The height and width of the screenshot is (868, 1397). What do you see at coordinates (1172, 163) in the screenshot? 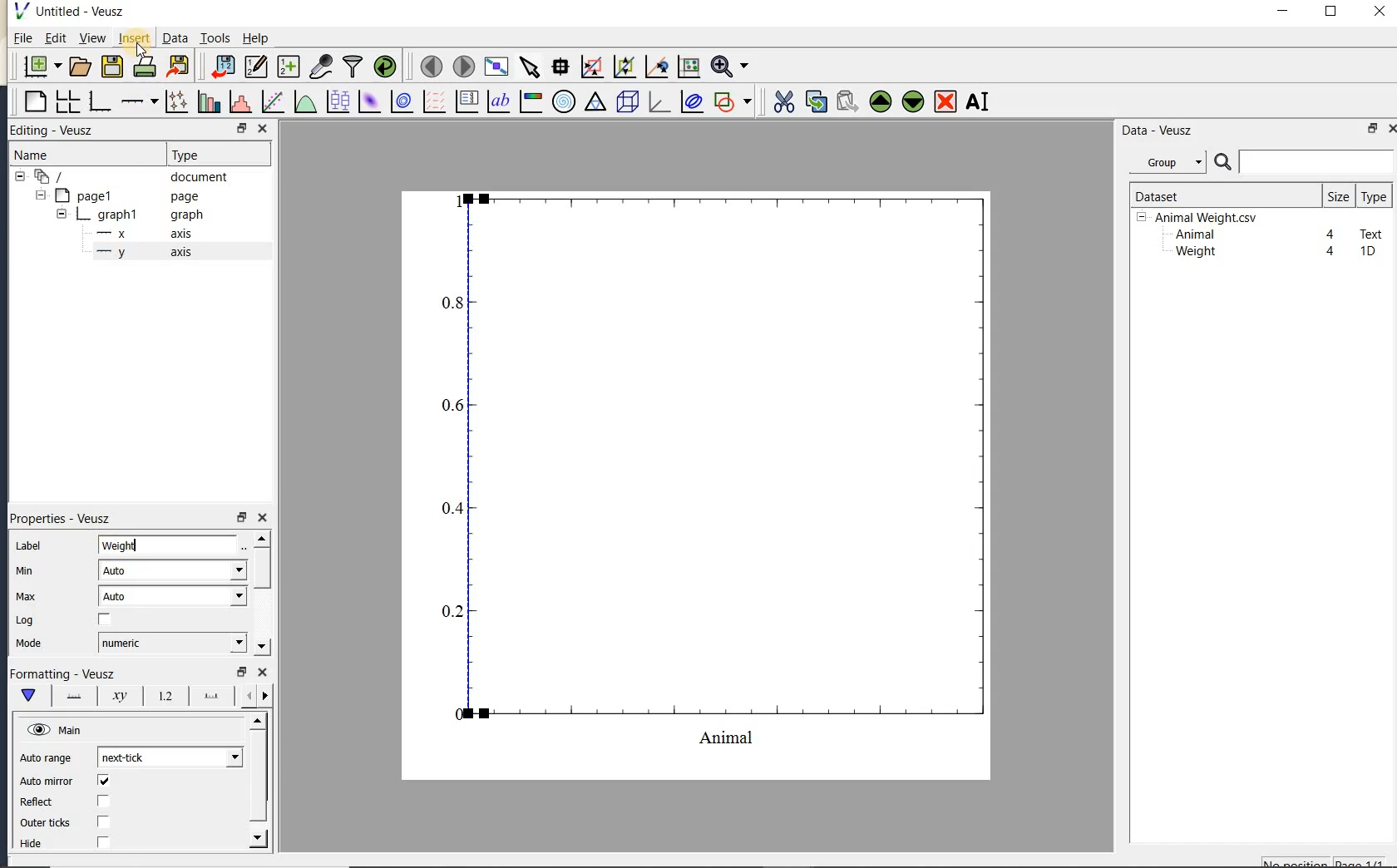
I see `Data - Veusz` at bounding box center [1172, 163].